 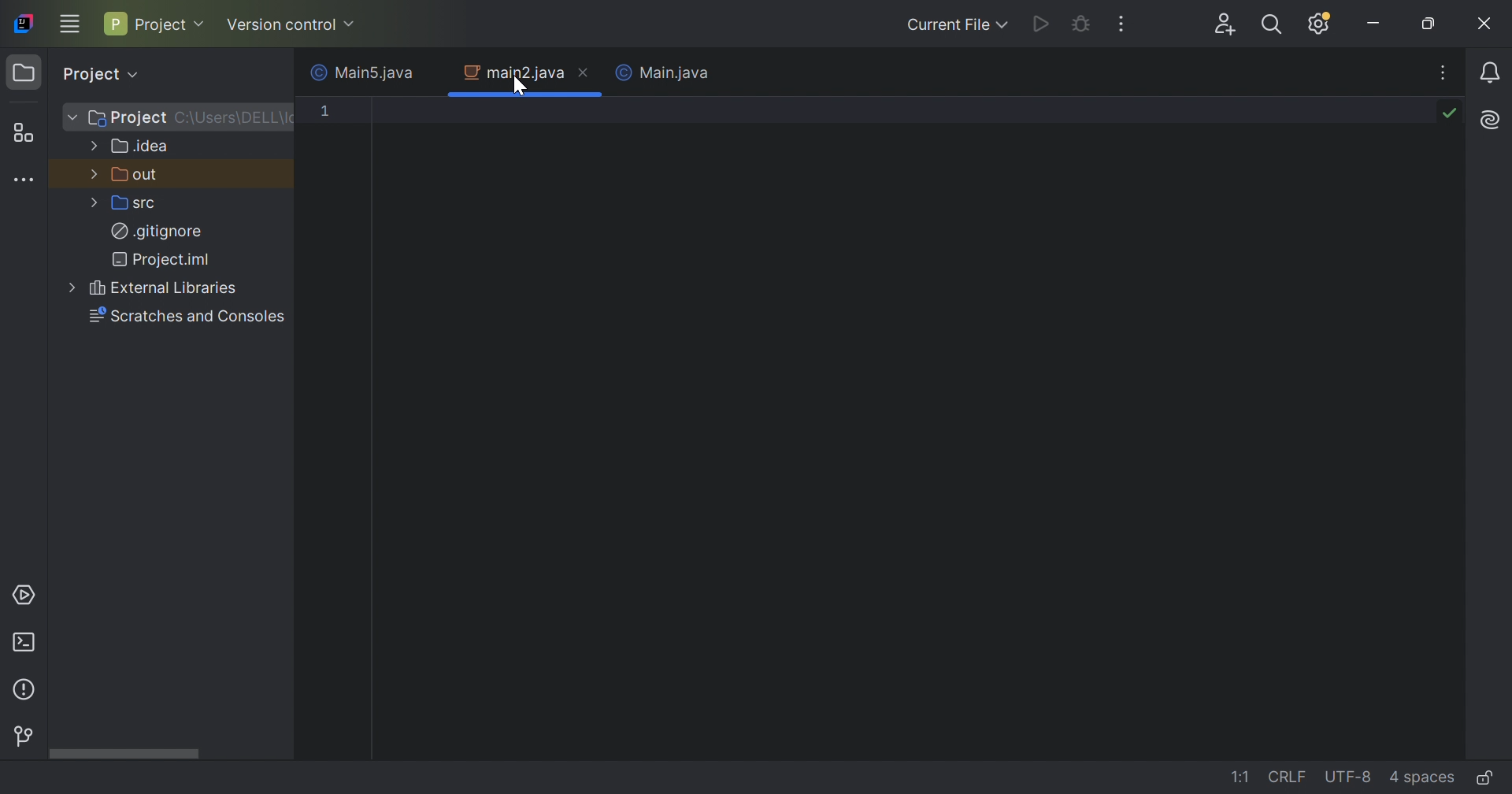 What do you see at coordinates (1121, 23) in the screenshot?
I see `More Actions` at bounding box center [1121, 23].